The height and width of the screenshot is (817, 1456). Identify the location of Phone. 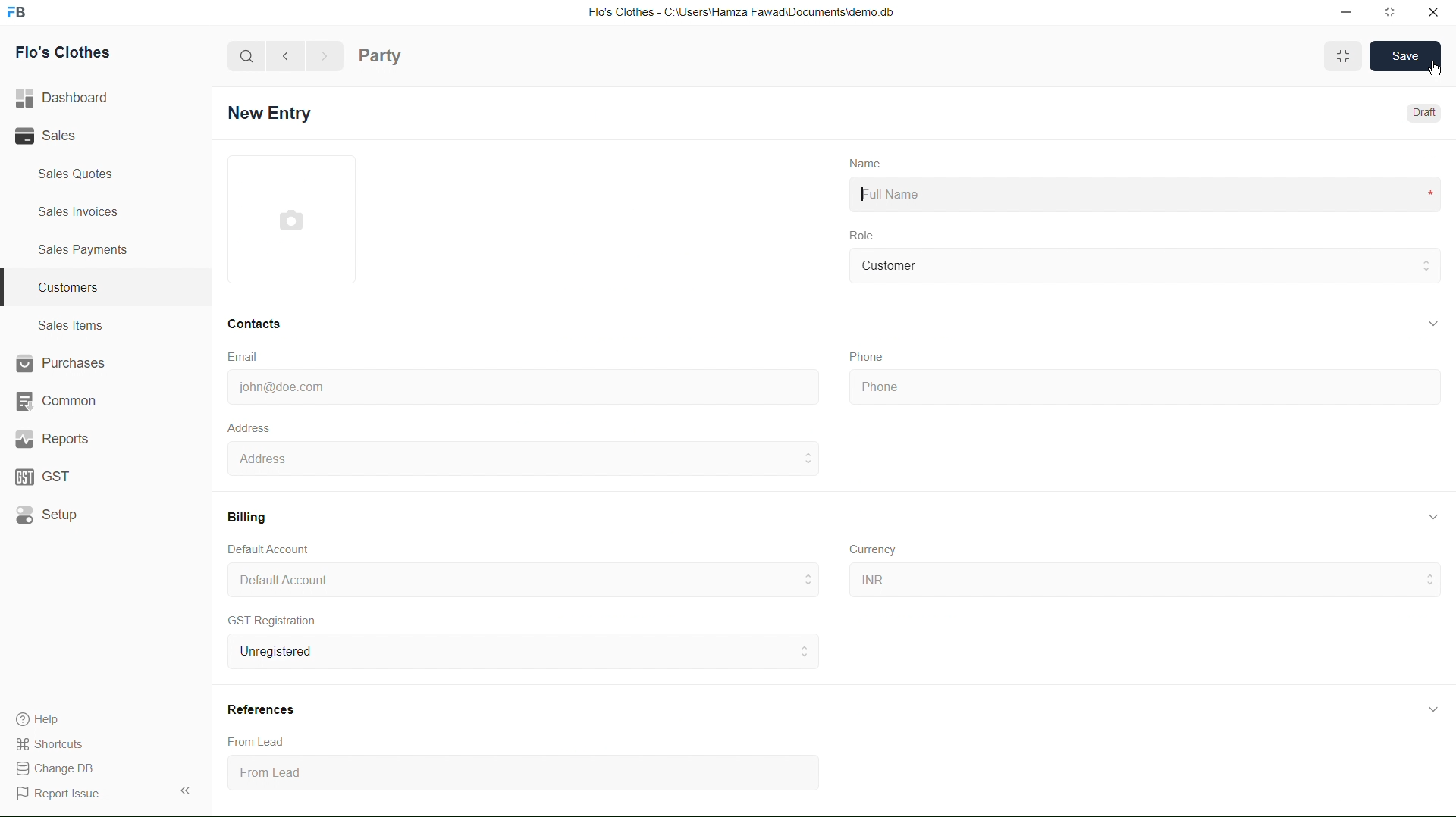
(865, 353).